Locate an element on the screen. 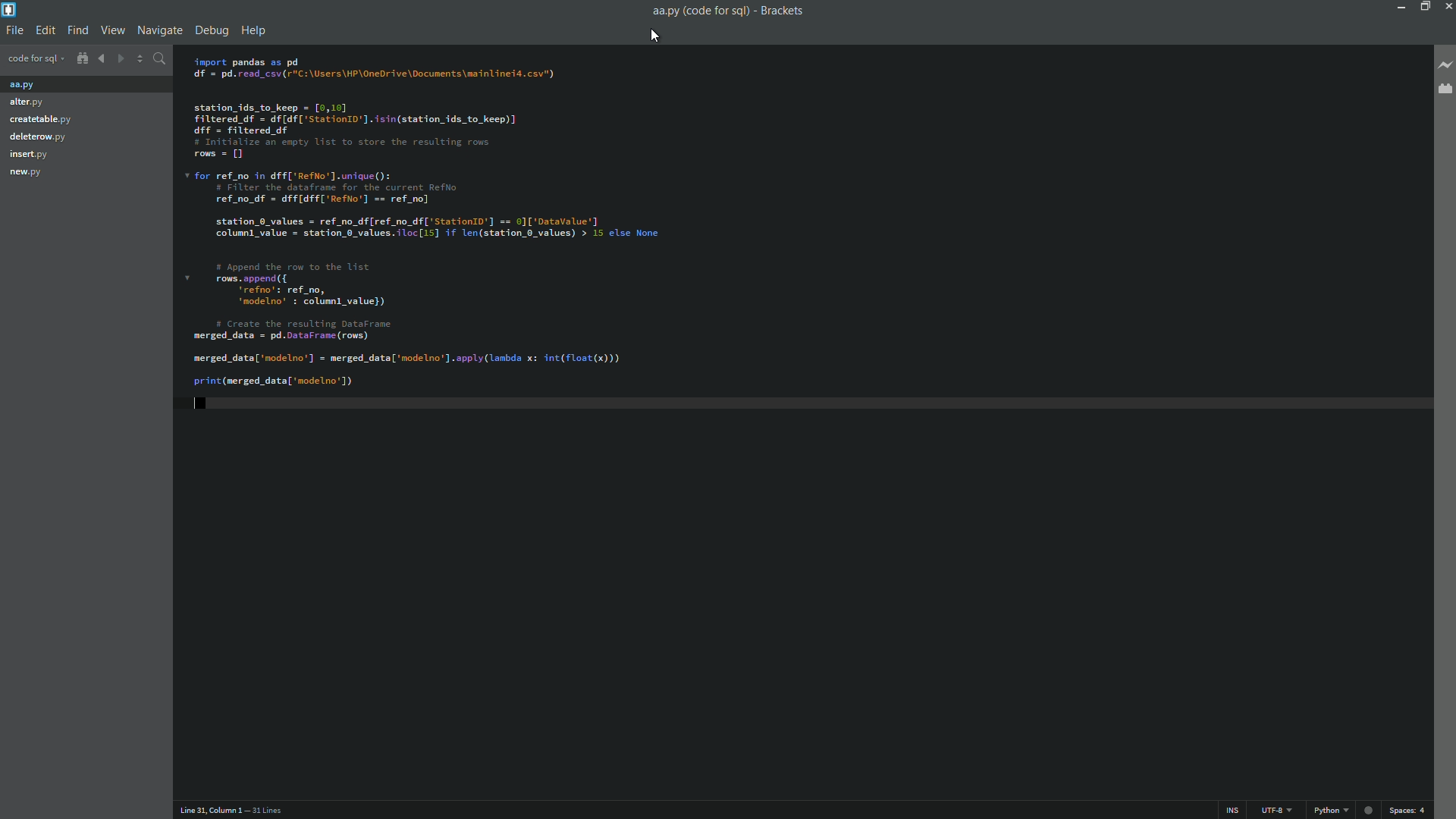 The height and width of the screenshot is (819, 1456). view menu is located at coordinates (111, 30).